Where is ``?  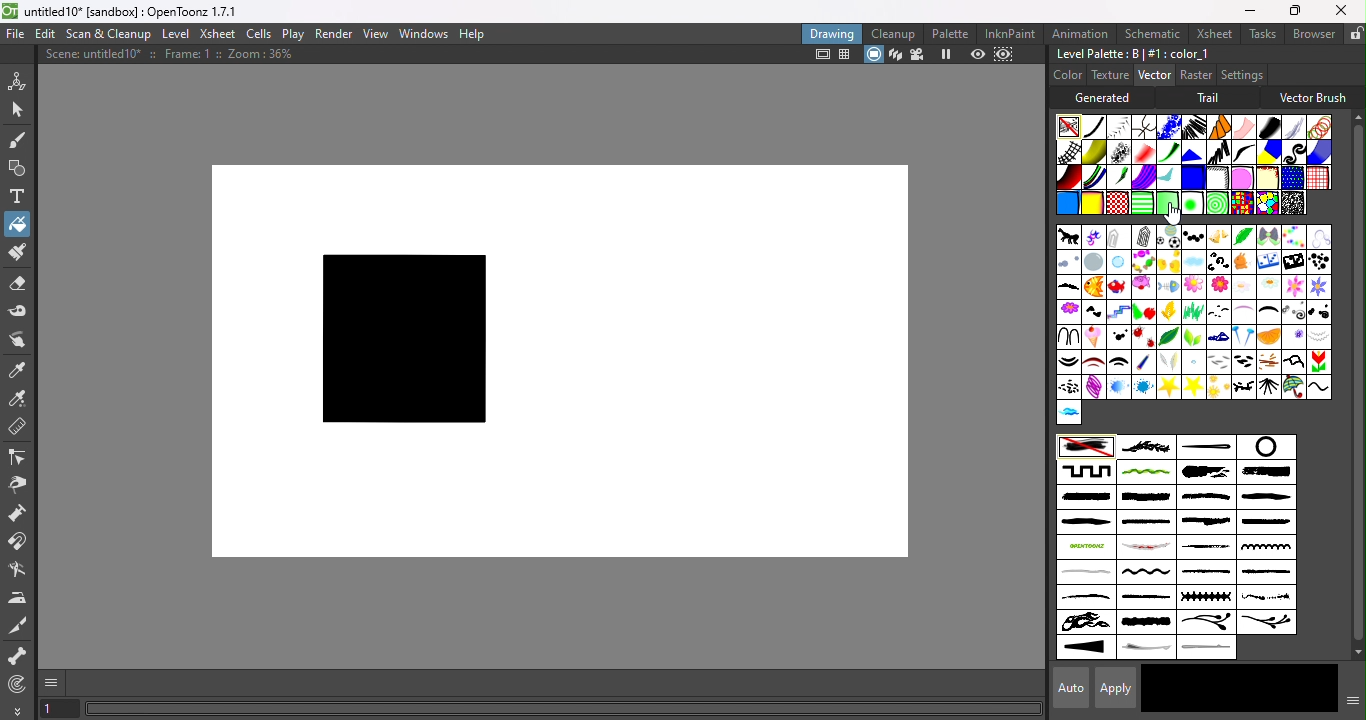
 is located at coordinates (1167, 313).